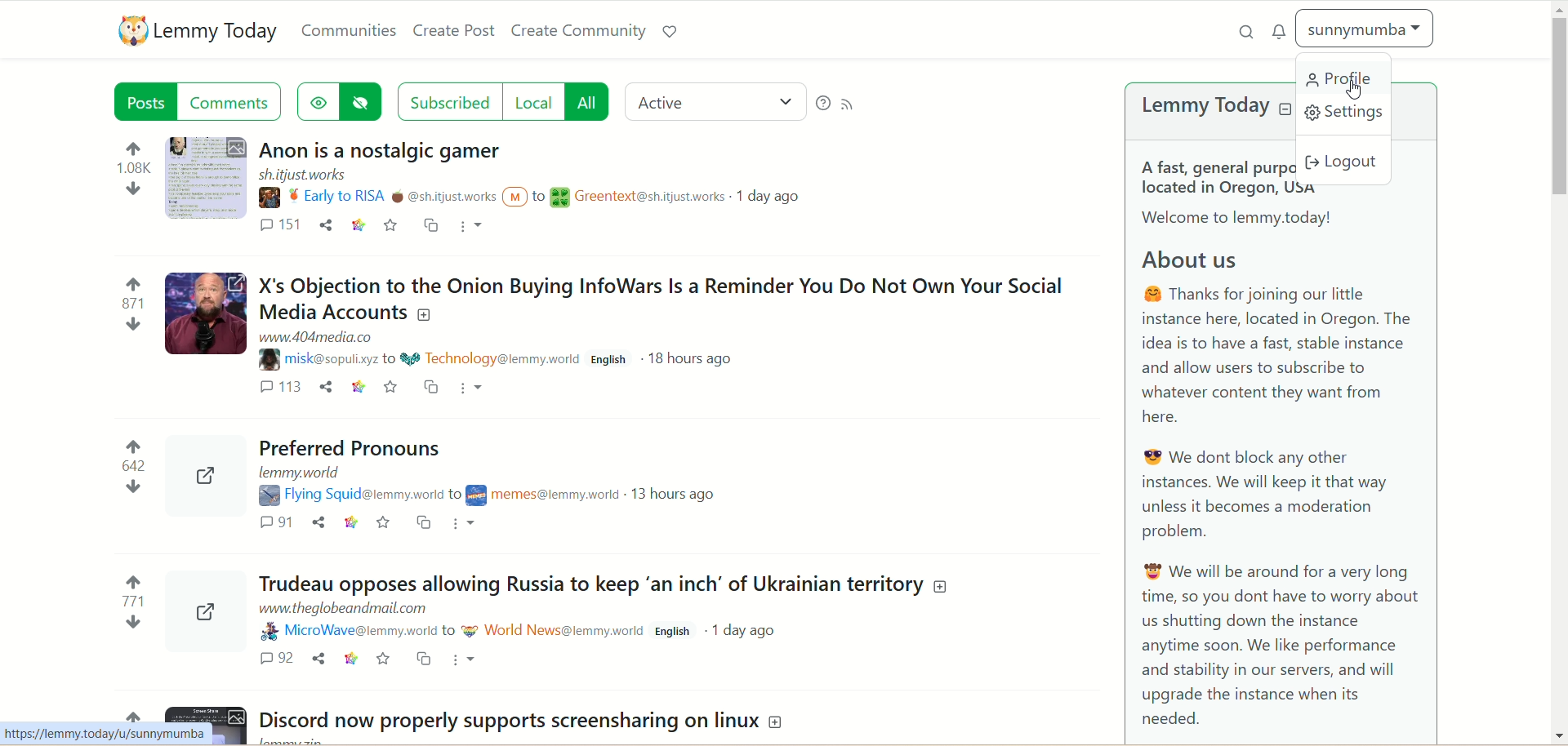 This screenshot has height=746, width=1568. I want to click on Can be expanded, so click(212, 615).